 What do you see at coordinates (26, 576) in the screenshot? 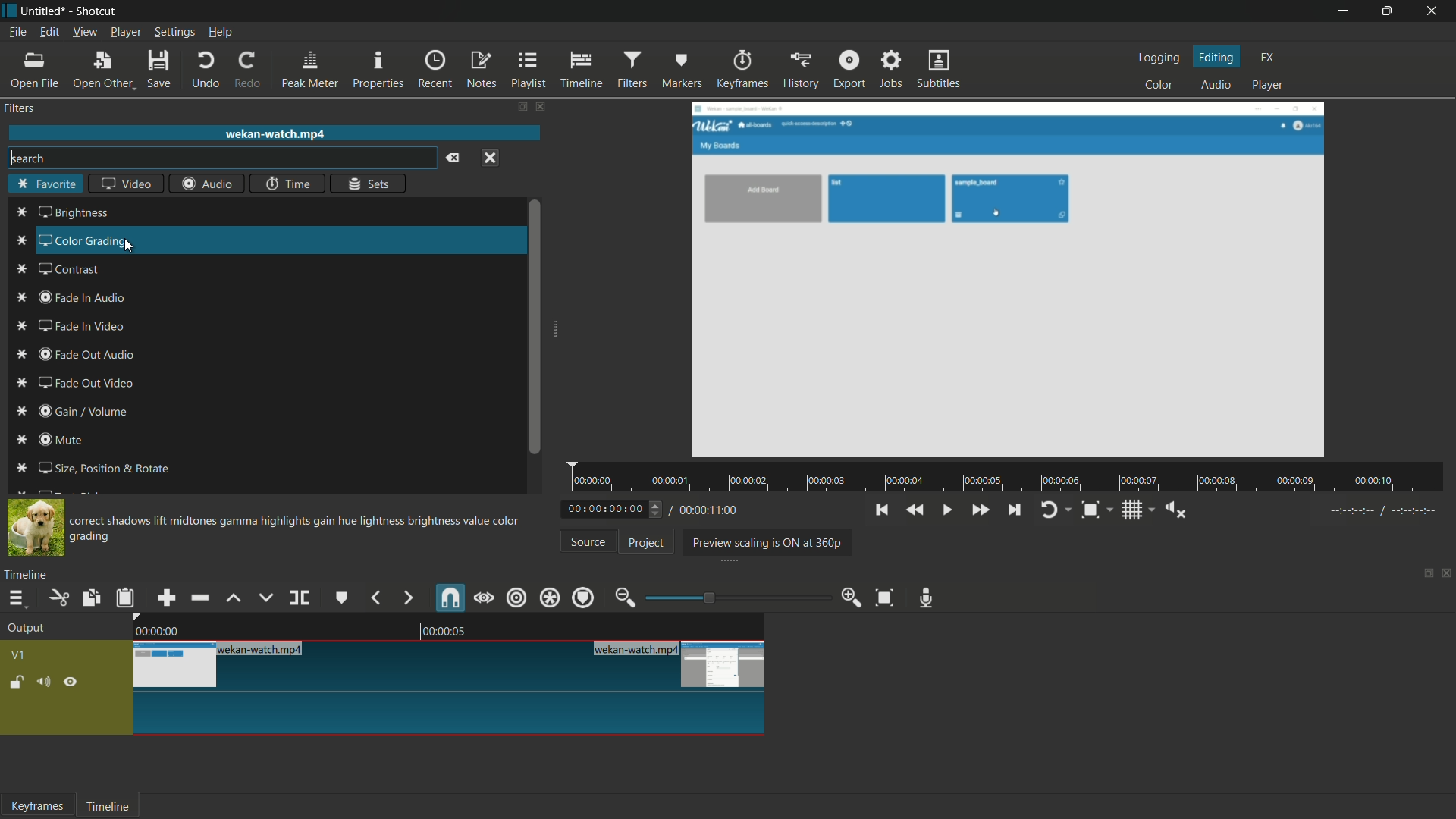
I see `timeline` at bounding box center [26, 576].